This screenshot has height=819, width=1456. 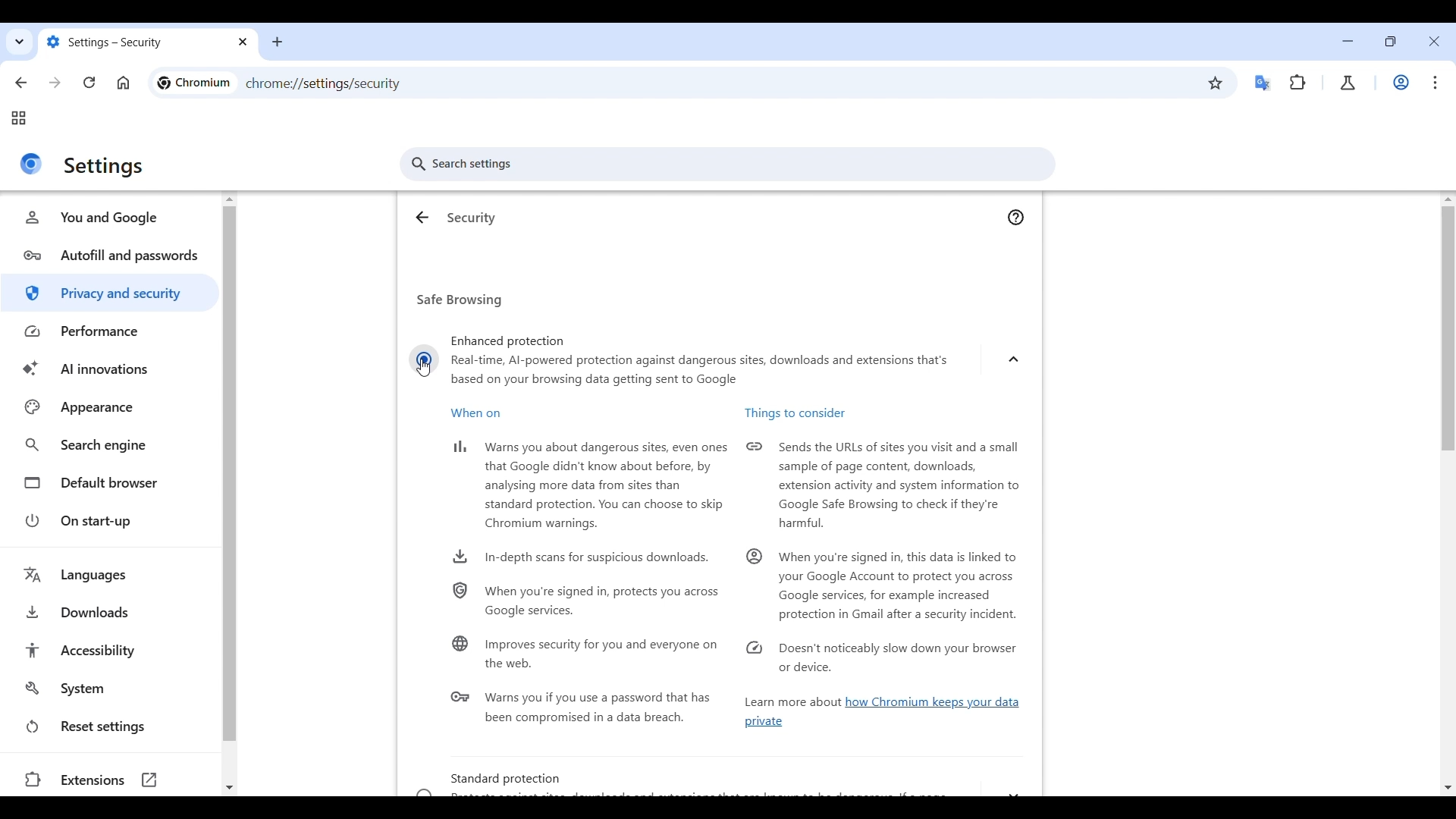 I want to click on Quick slide to bottom, so click(x=1447, y=789).